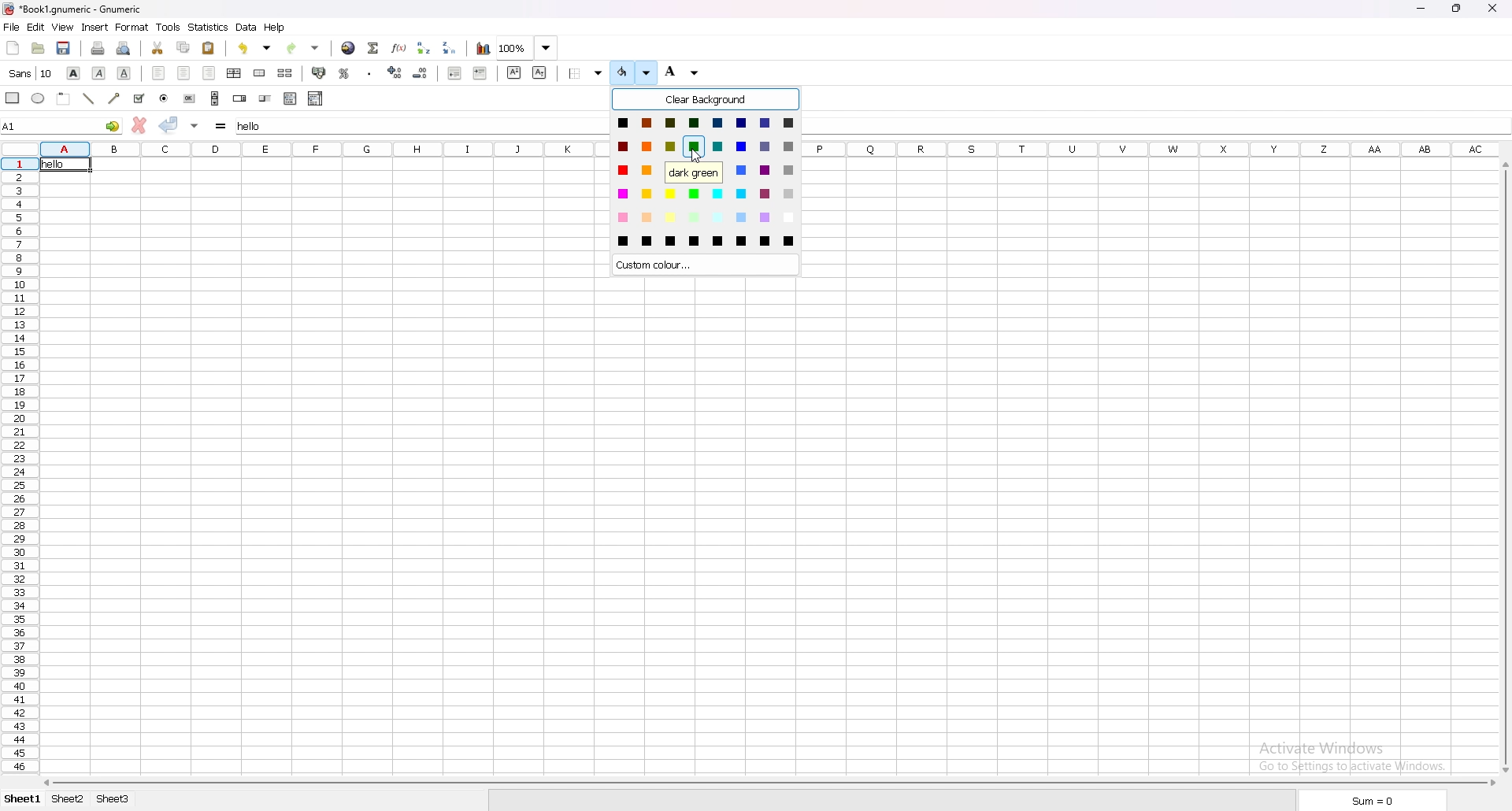 The image size is (1512, 811). I want to click on scroll bar, so click(216, 98).